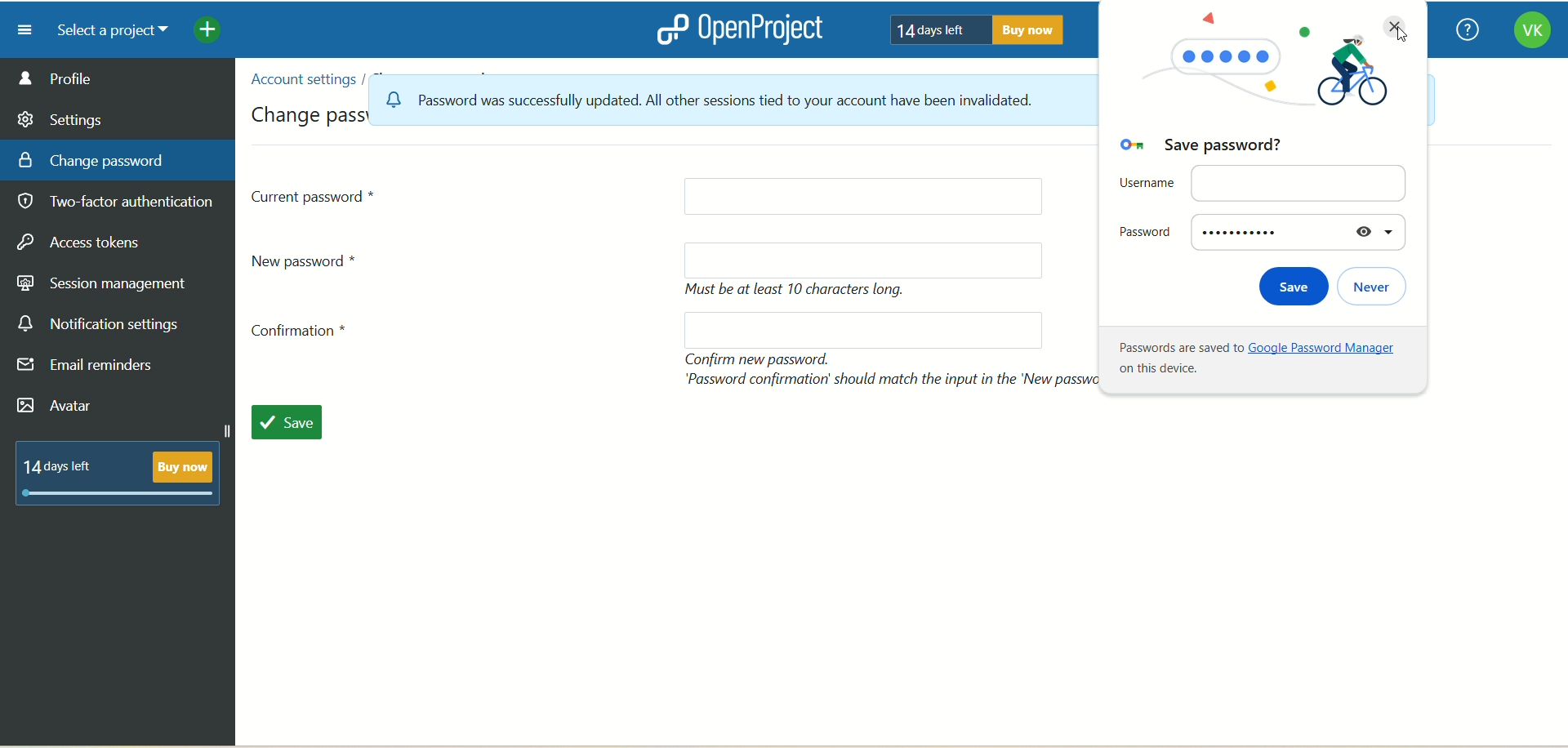  I want to click on two factor authentication, so click(122, 203).